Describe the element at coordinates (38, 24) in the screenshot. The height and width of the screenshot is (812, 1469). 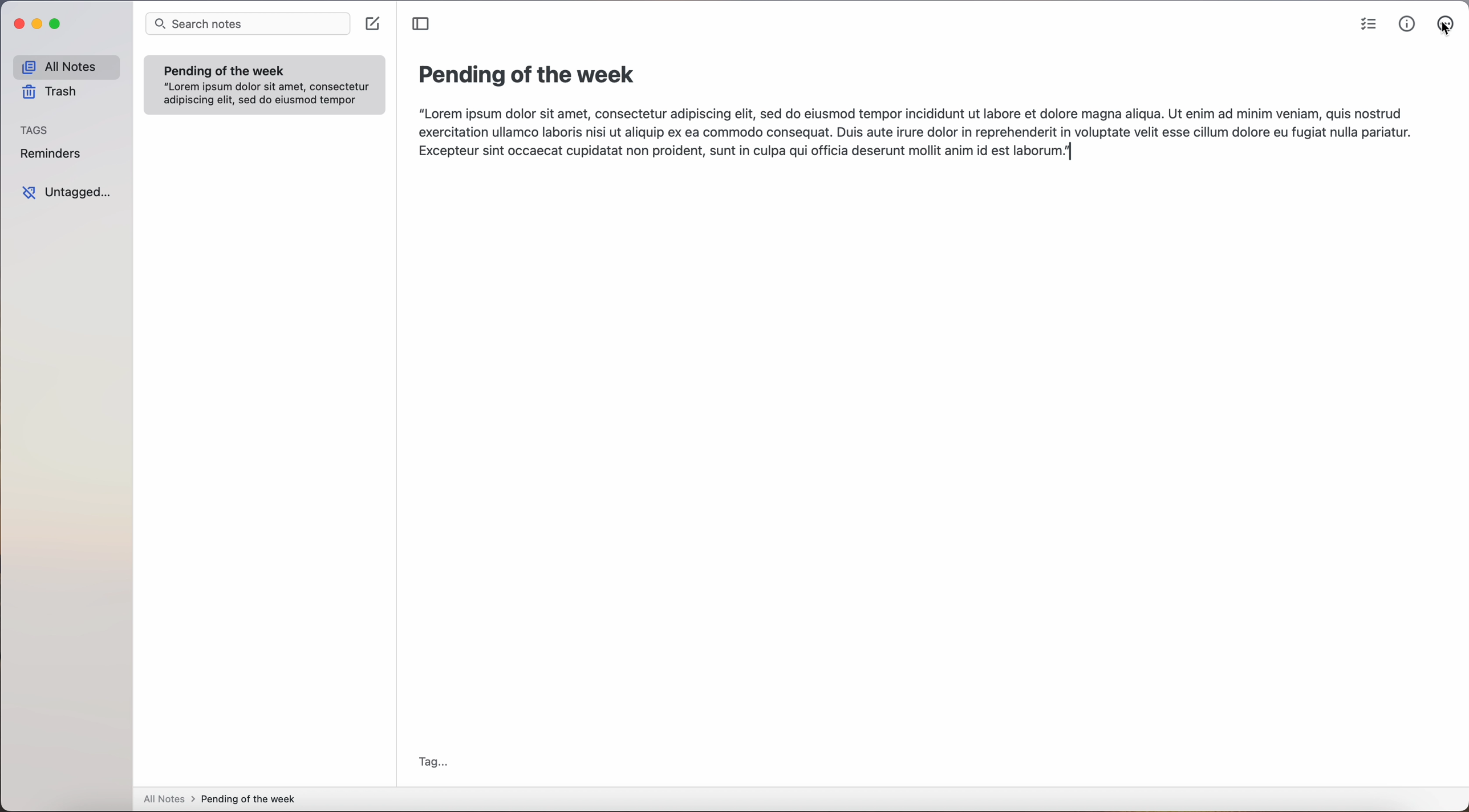
I see `minimize app` at that location.